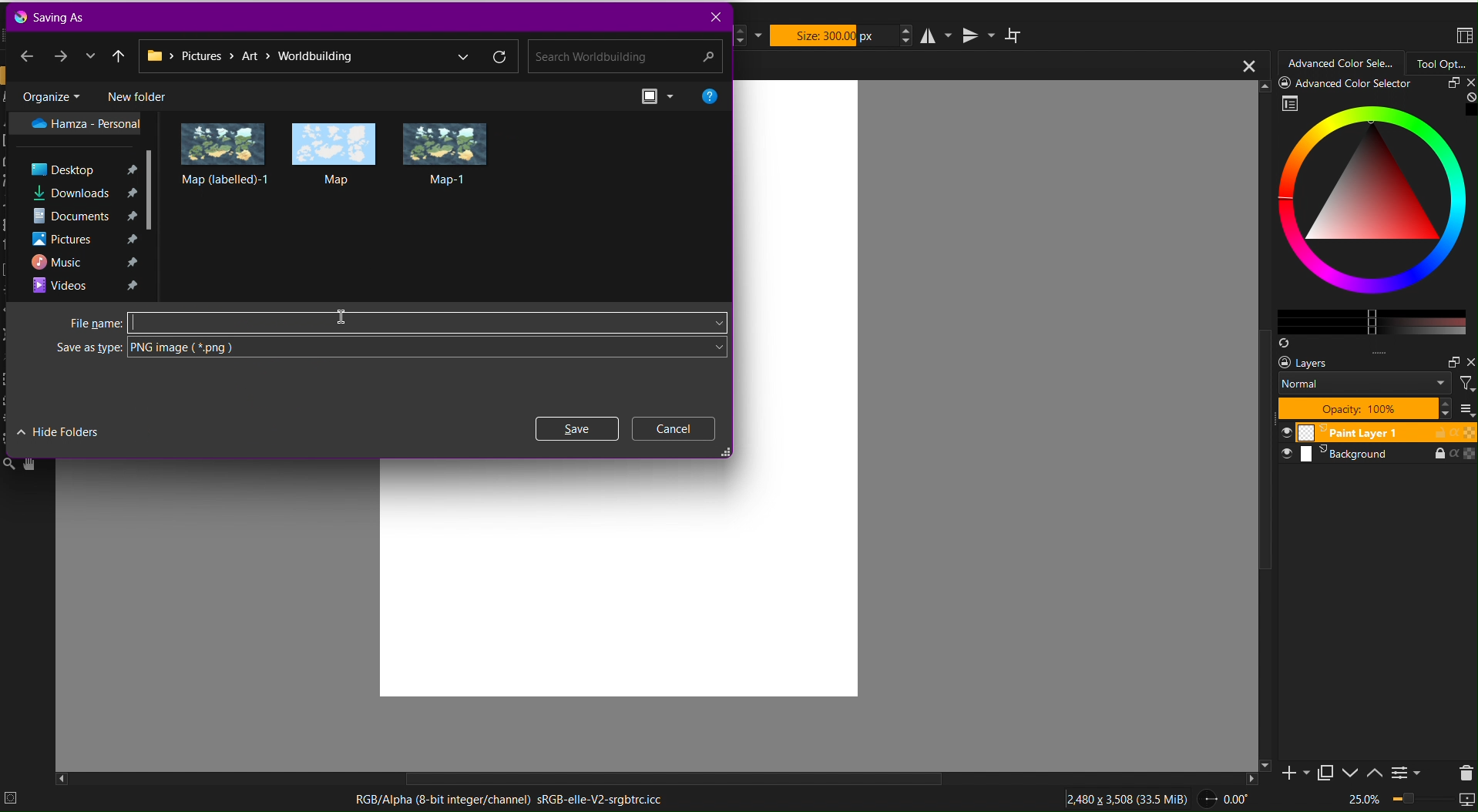  What do you see at coordinates (998, 65) in the screenshot?
I see `Current Document` at bounding box center [998, 65].